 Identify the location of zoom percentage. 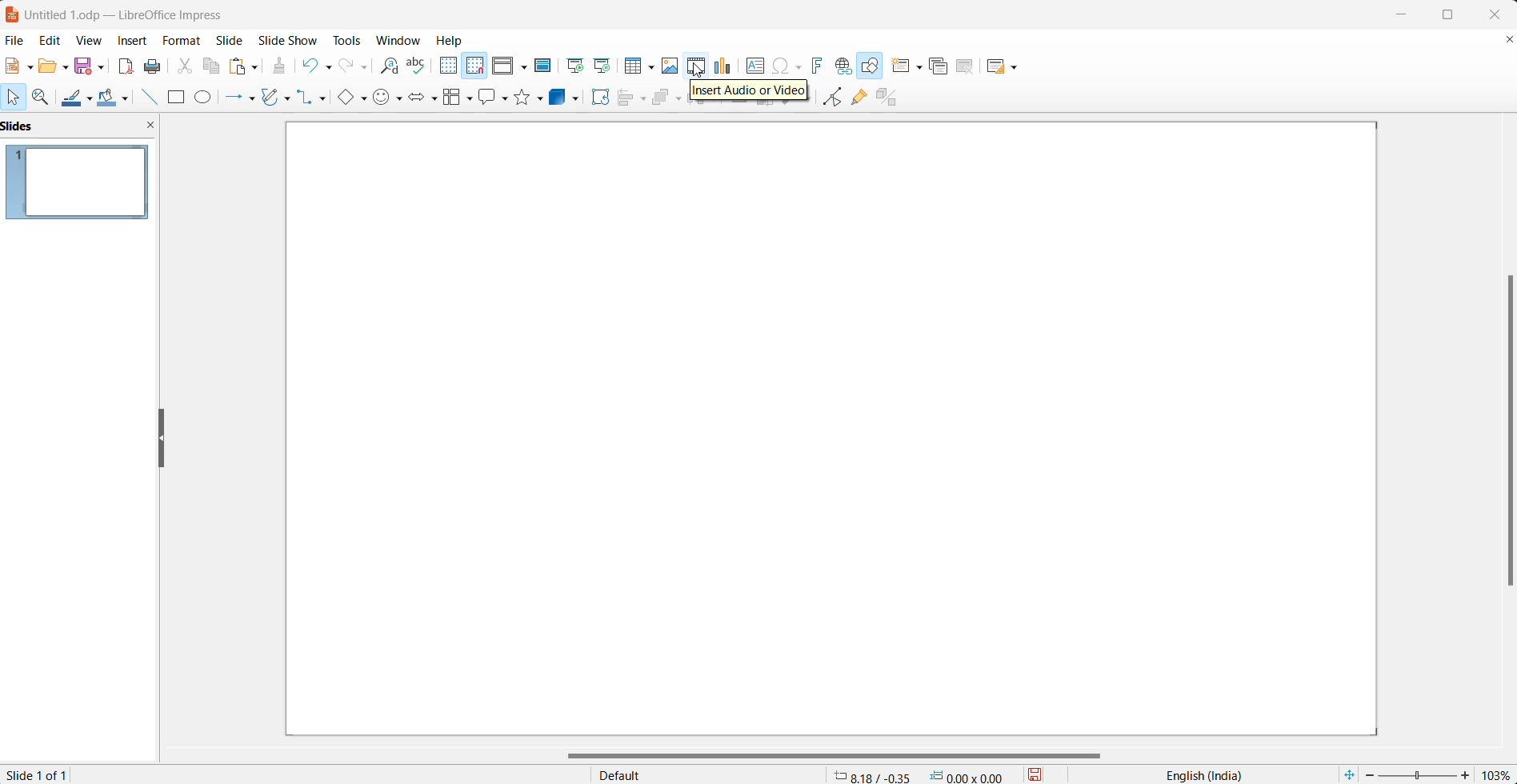
(1497, 774).